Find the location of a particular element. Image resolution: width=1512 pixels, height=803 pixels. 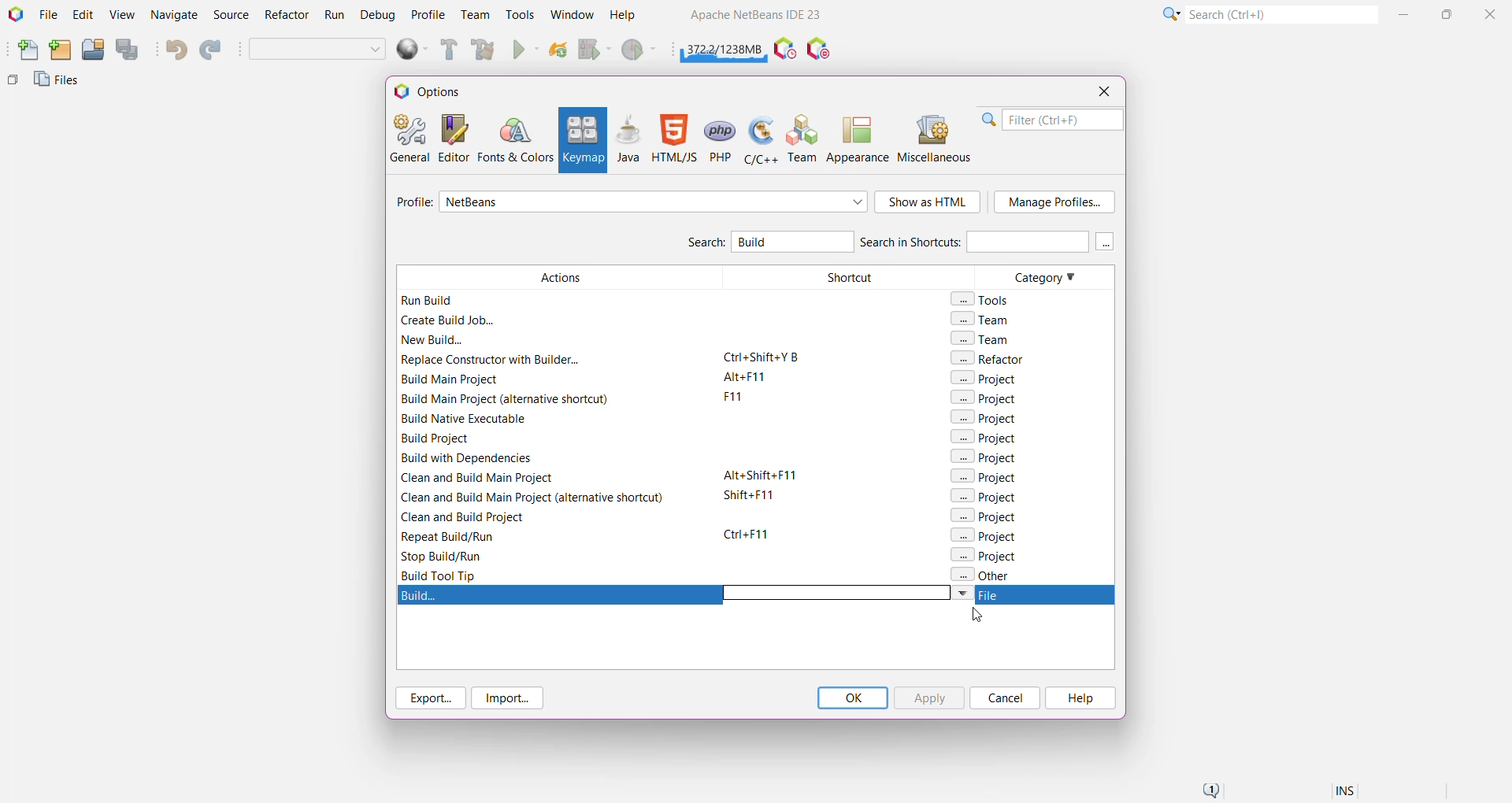

Window is located at coordinates (572, 14).